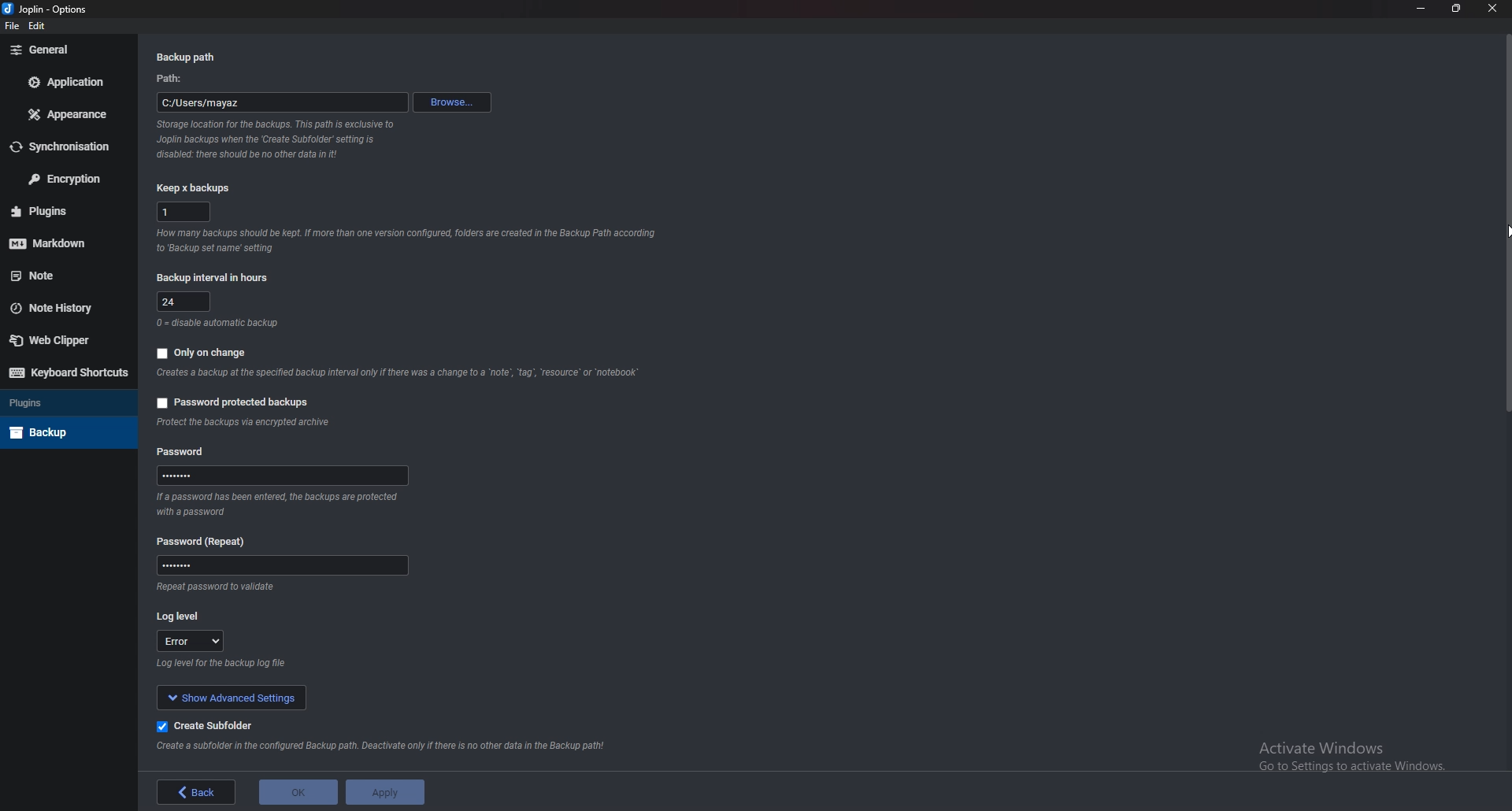 The height and width of the screenshot is (811, 1512). I want to click on Password, so click(281, 475).